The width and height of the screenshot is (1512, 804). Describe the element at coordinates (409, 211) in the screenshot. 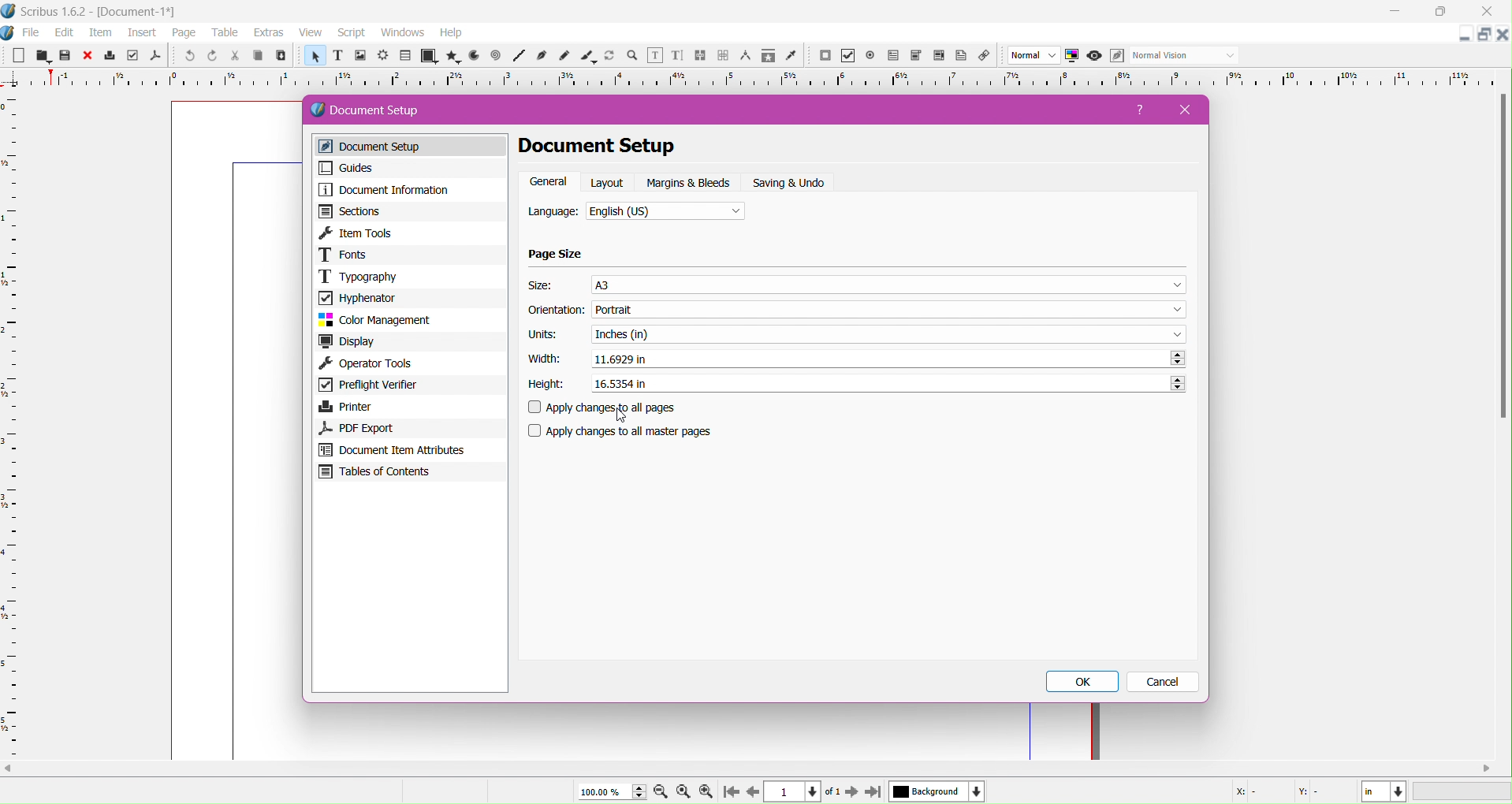

I see `Sections` at that location.